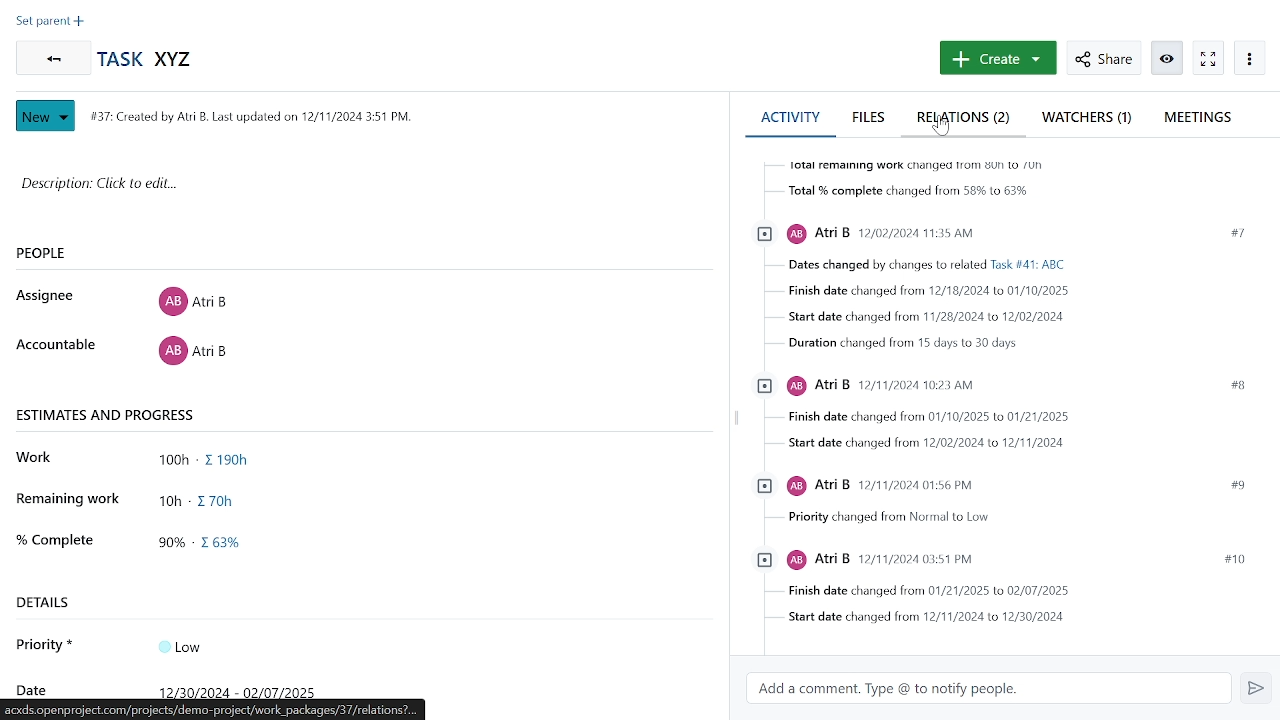  What do you see at coordinates (1203, 117) in the screenshot?
I see `meetings` at bounding box center [1203, 117].